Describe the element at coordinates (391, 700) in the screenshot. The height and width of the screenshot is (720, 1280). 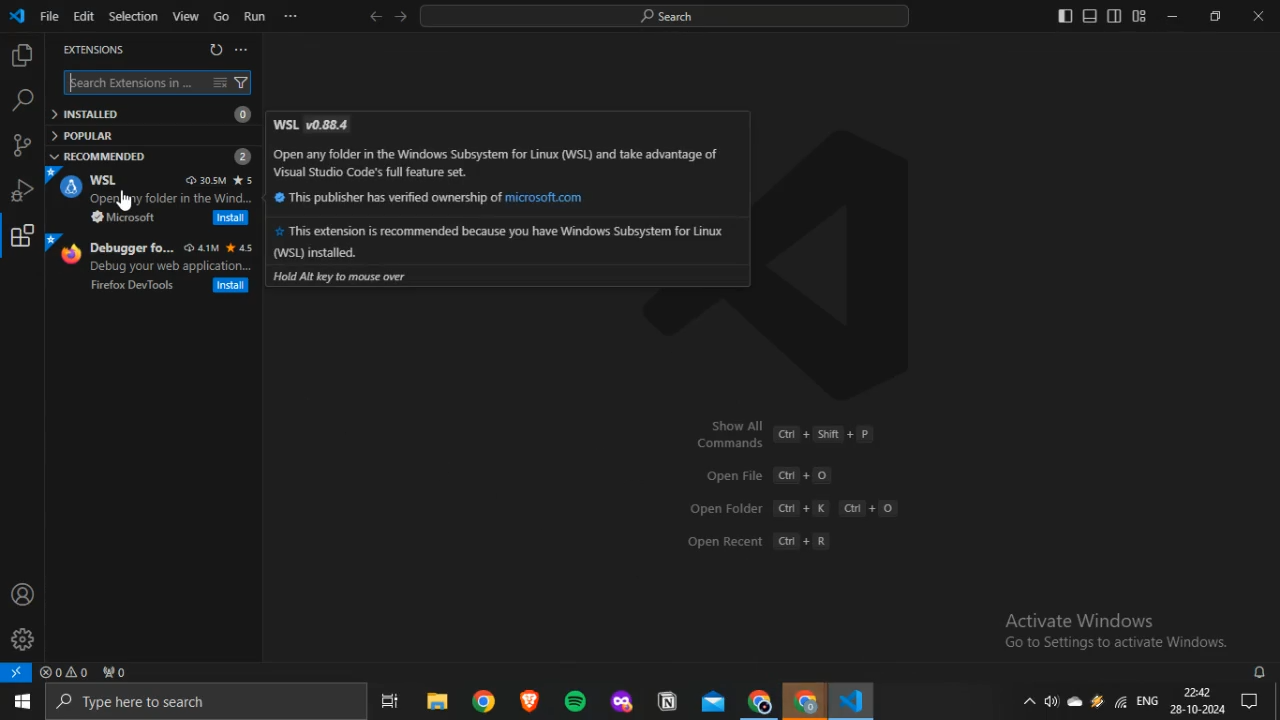
I see `task view` at that location.